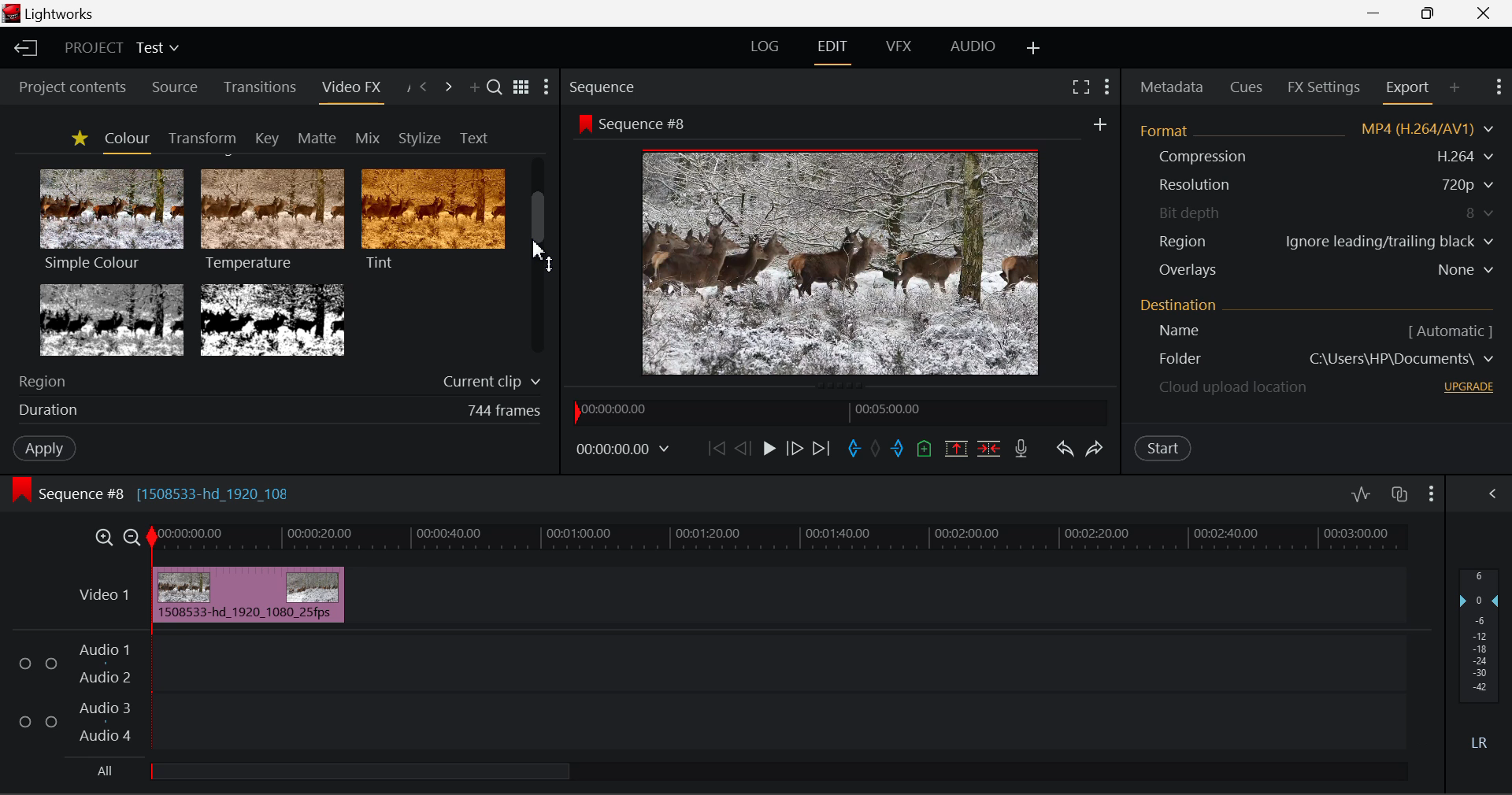 The image size is (1512, 795). Describe the element at coordinates (1079, 90) in the screenshot. I see `Full Screen` at that location.